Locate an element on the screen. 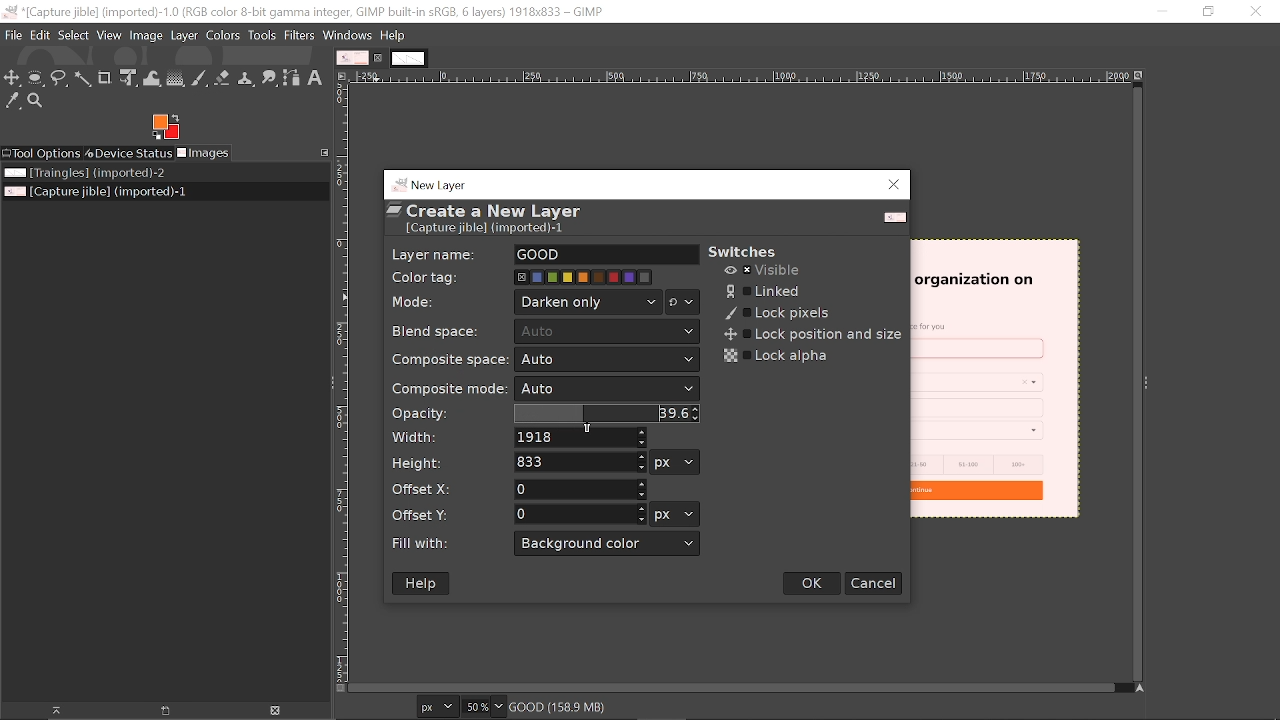 This screenshot has width=1280, height=720. Configure this tab is located at coordinates (322, 152).